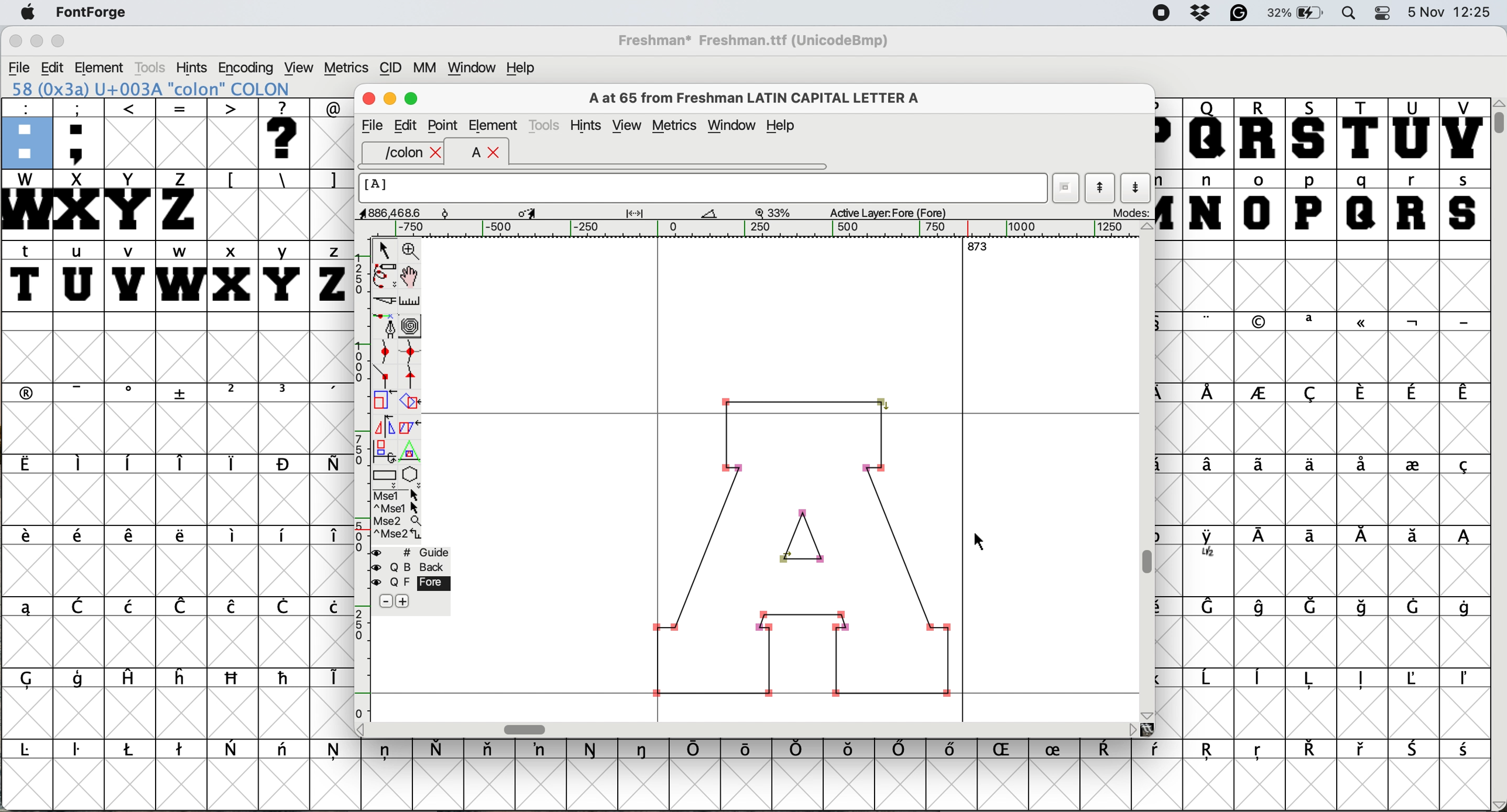  Describe the element at coordinates (413, 324) in the screenshot. I see `change whether spiro is active or not` at that location.